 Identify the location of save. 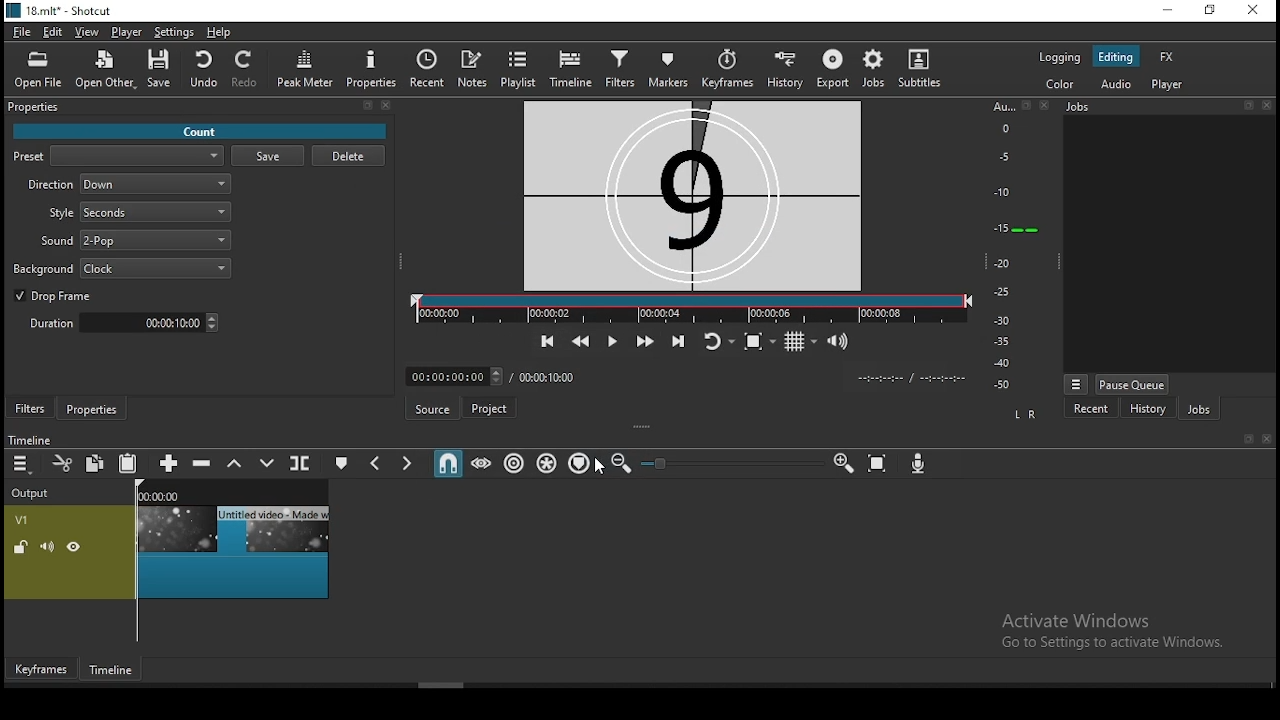
(159, 70).